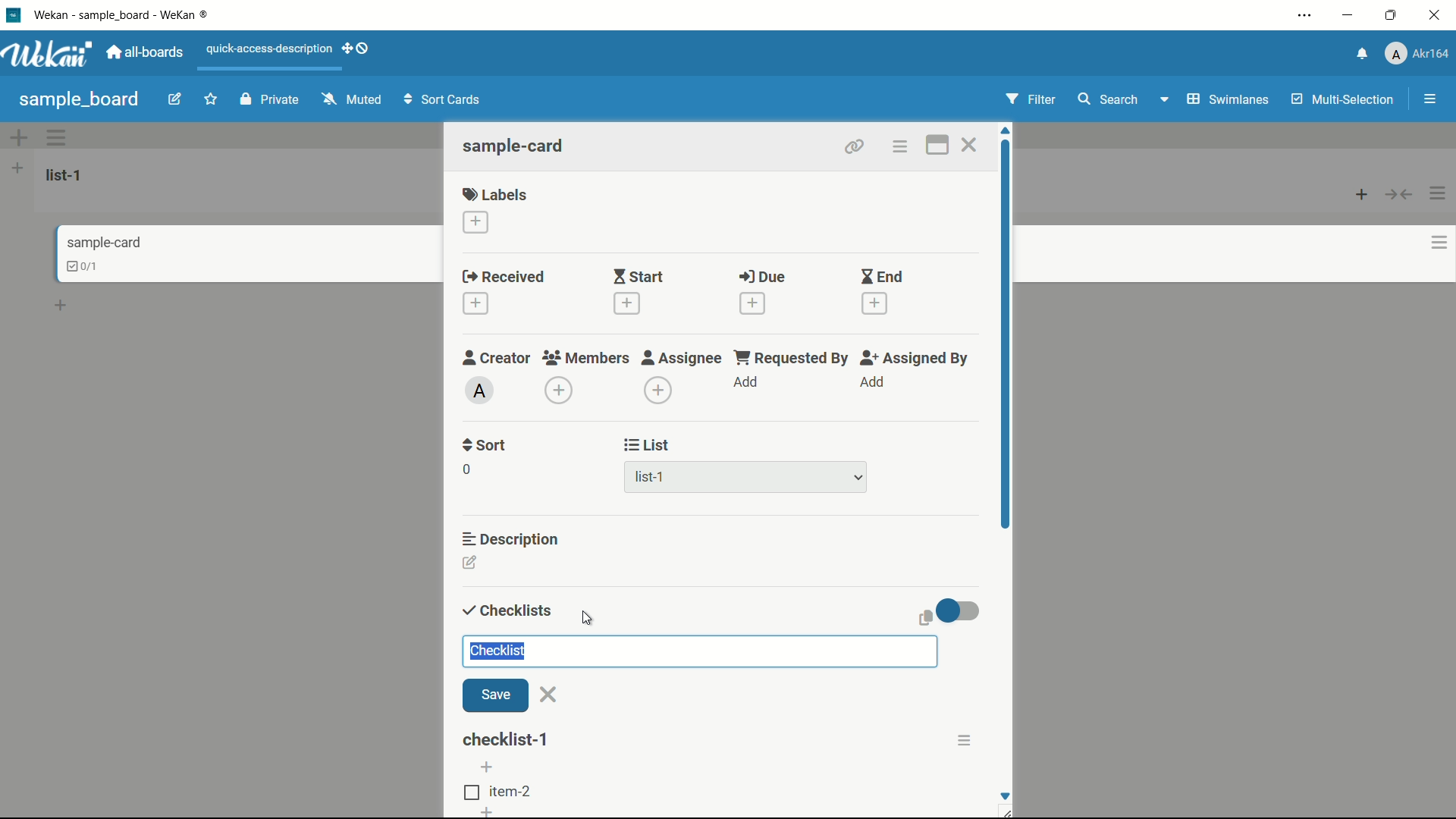  I want to click on admin, so click(480, 391).